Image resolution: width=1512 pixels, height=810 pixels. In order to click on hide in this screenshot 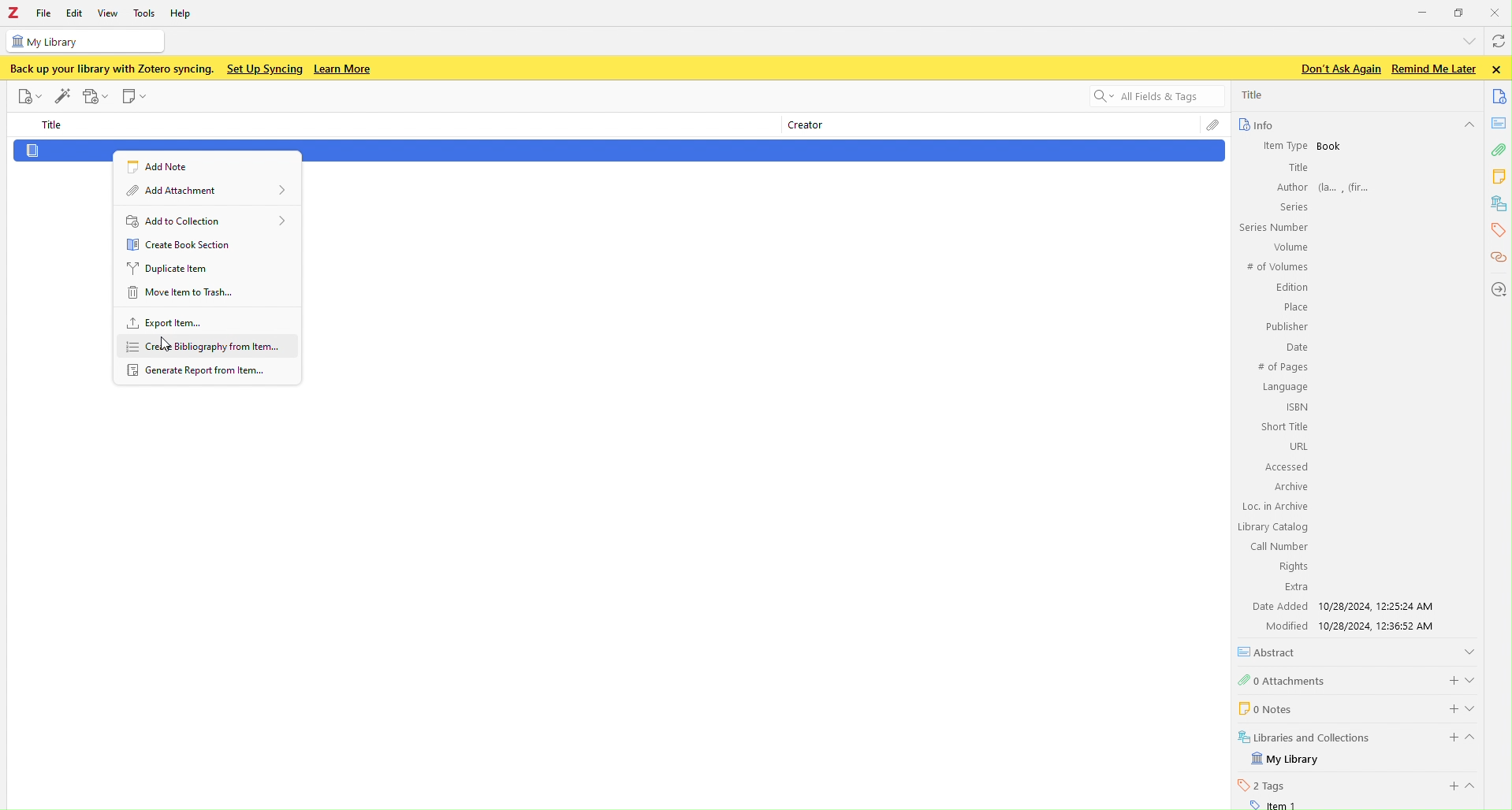, I will do `click(1477, 740)`.